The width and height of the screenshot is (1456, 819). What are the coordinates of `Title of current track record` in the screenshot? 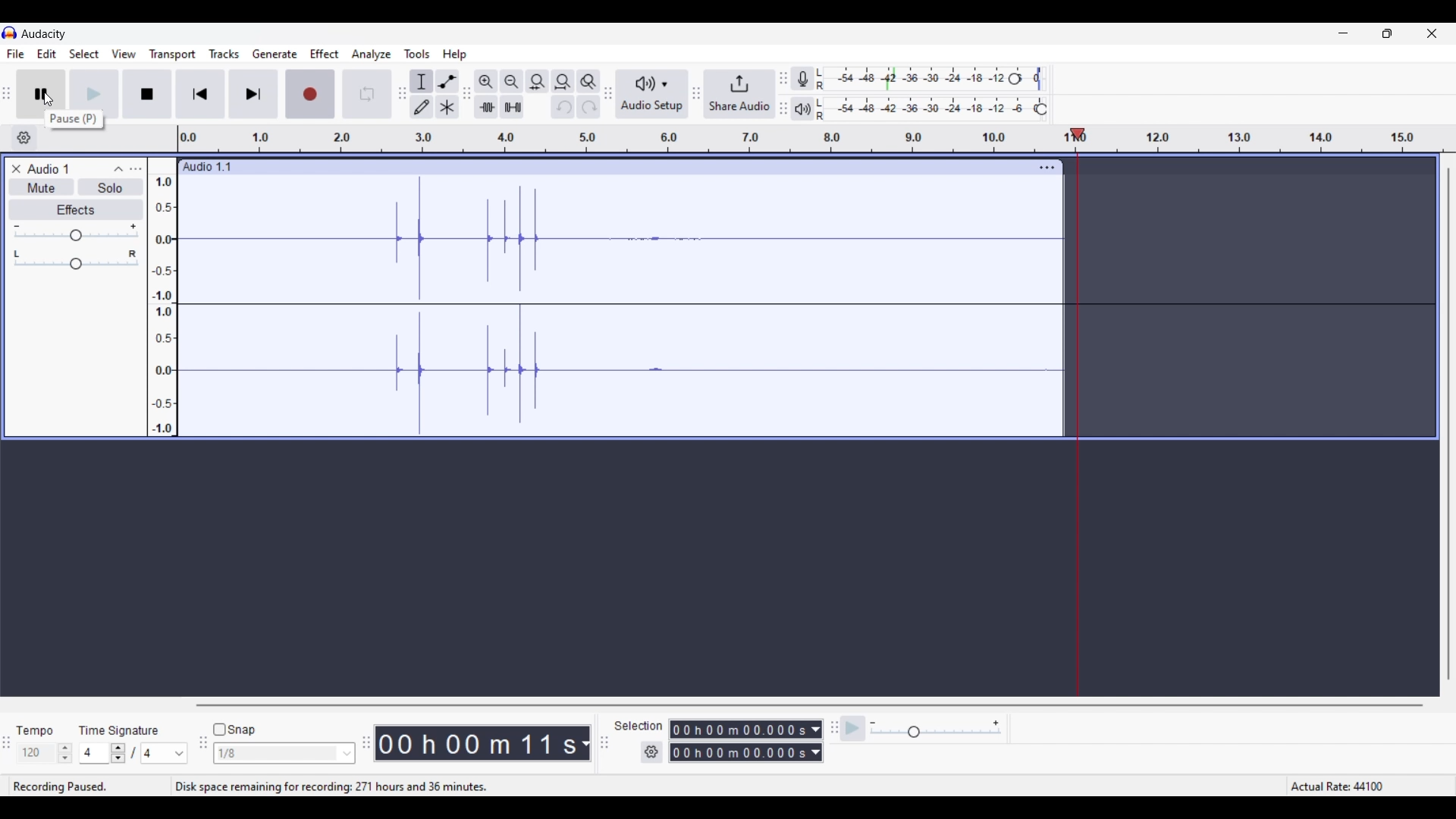 It's located at (48, 168).